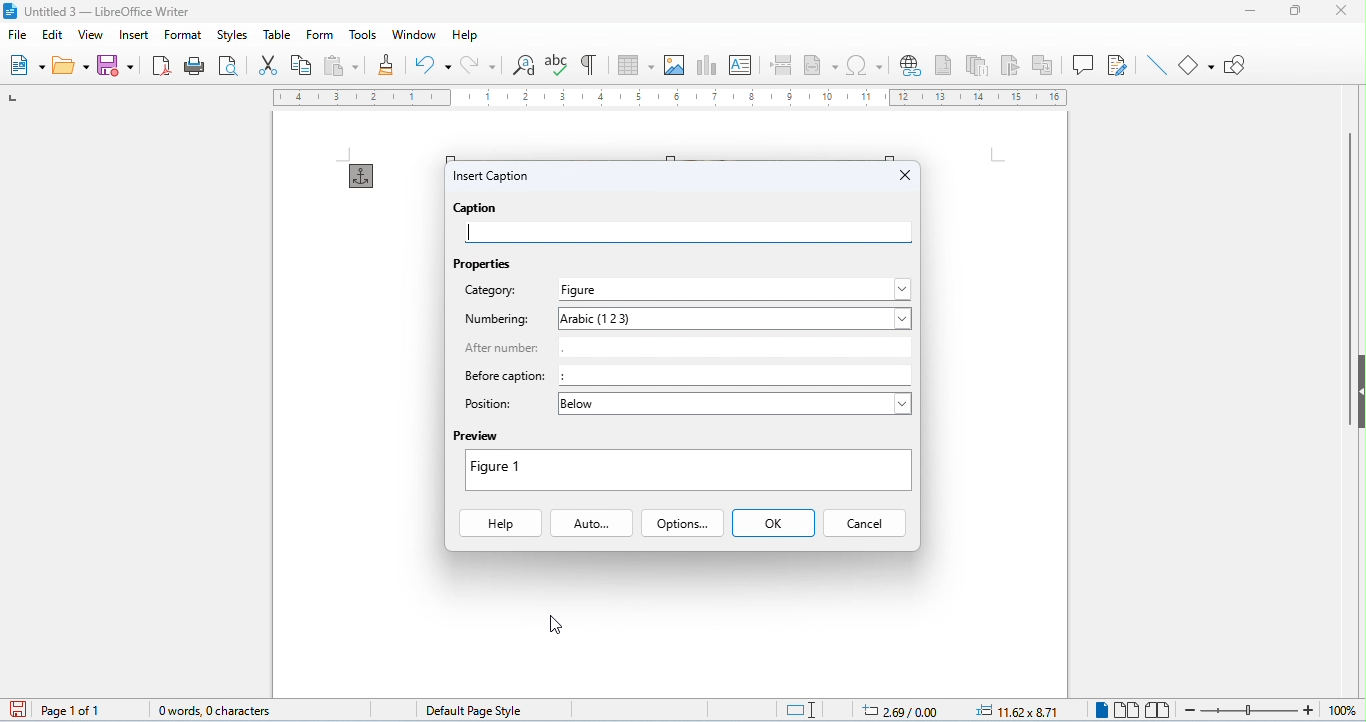  Describe the element at coordinates (1340, 10) in the screenshot. I see `close` at that location.